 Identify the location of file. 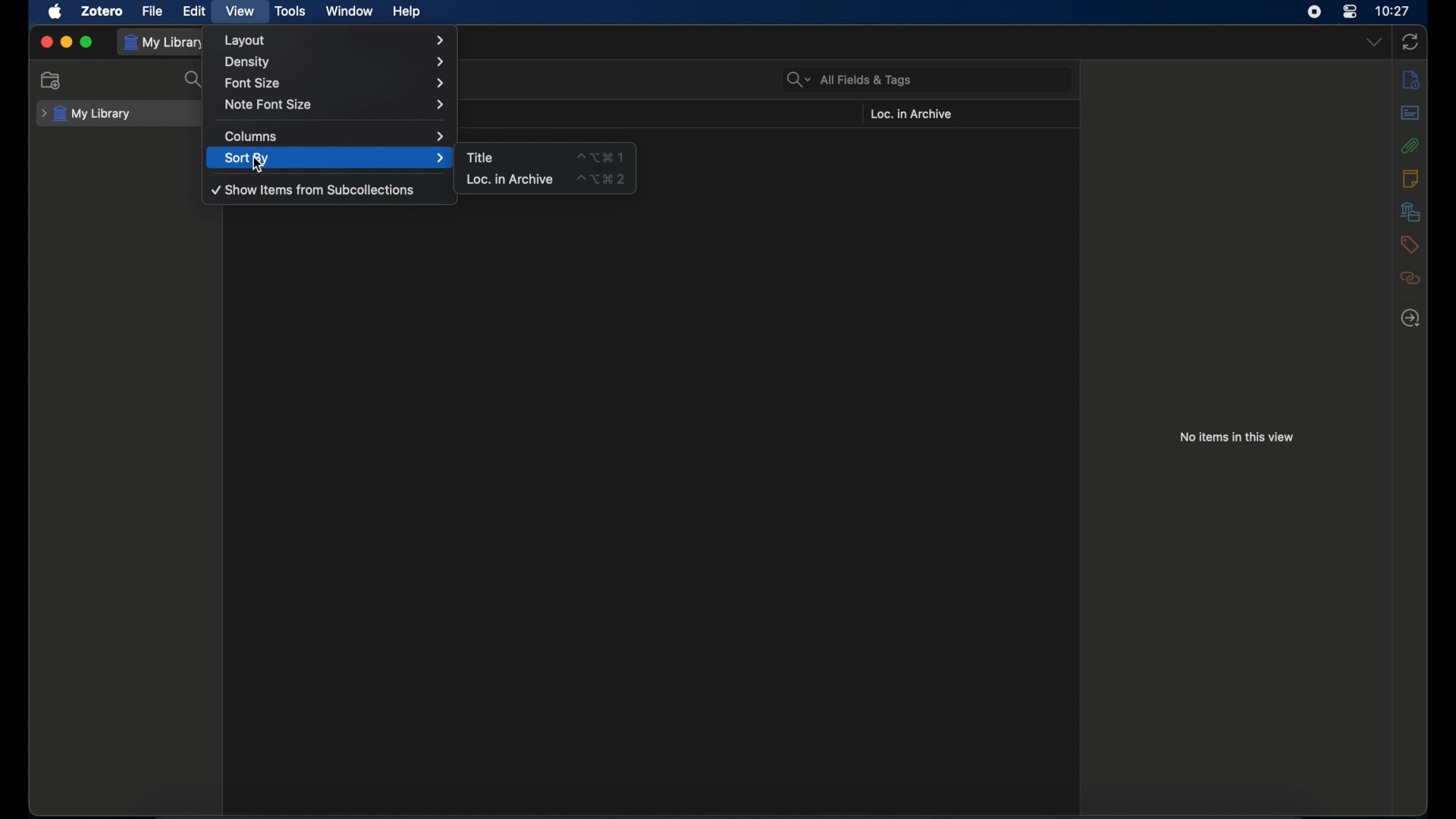
(153, 12).